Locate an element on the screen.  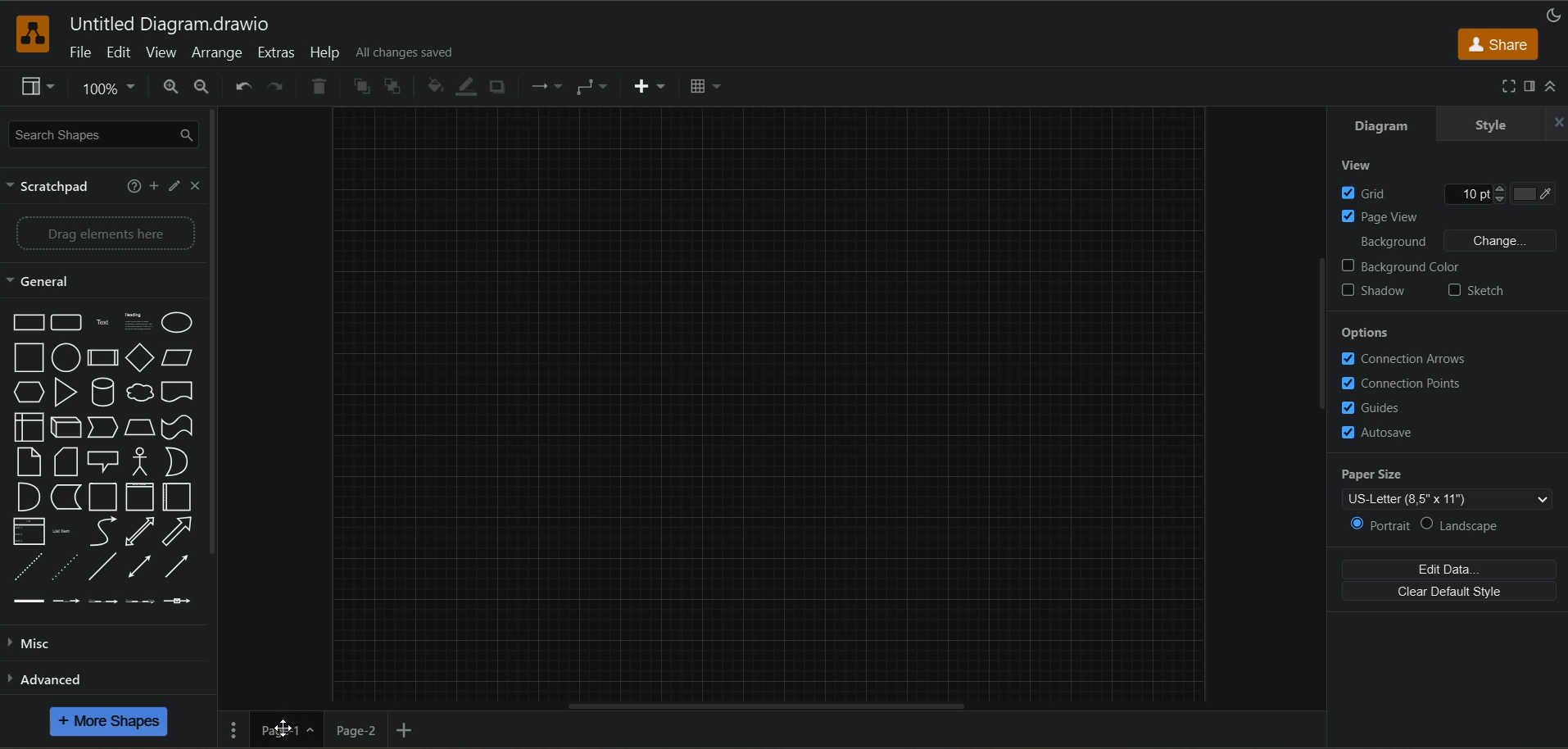
zoom out is located at coordinates (201, 87).